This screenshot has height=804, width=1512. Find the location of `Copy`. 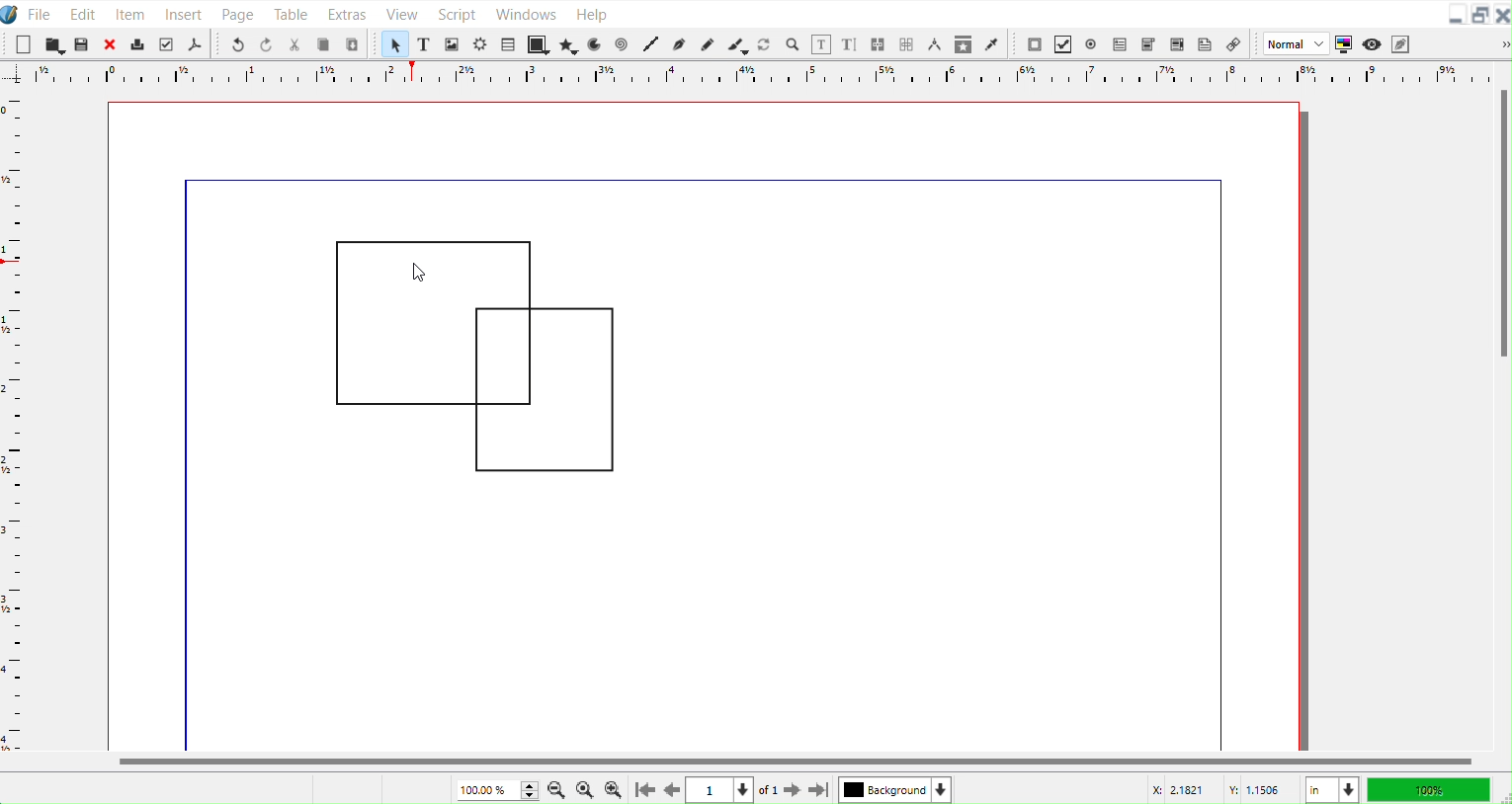

Copy is located at coordinates (325, 43).